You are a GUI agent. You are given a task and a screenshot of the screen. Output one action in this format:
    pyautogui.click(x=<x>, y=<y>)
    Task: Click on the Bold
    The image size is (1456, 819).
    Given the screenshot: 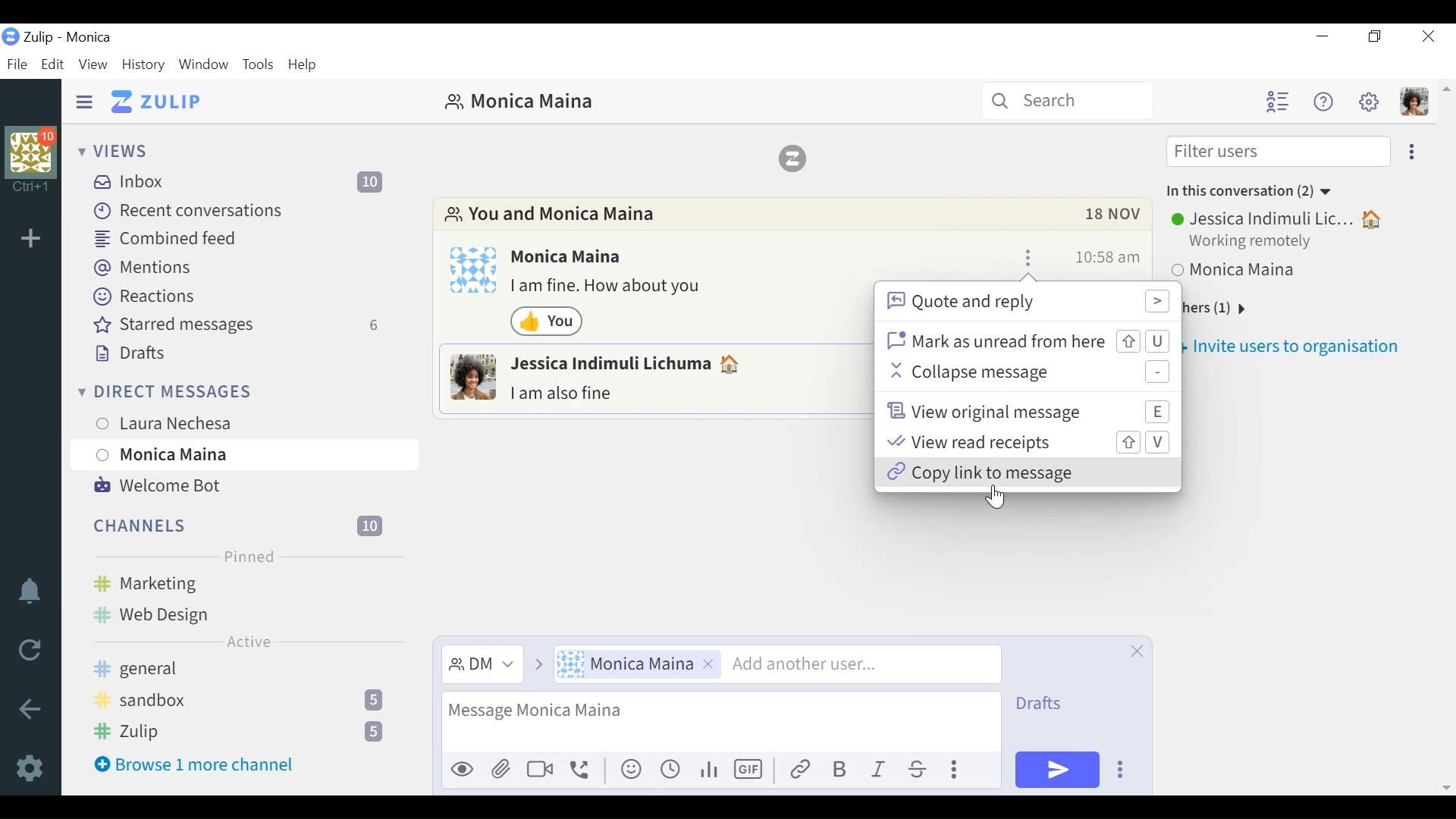 What is the action you would take?
    pyautogui.click(x=839, y=770)
    